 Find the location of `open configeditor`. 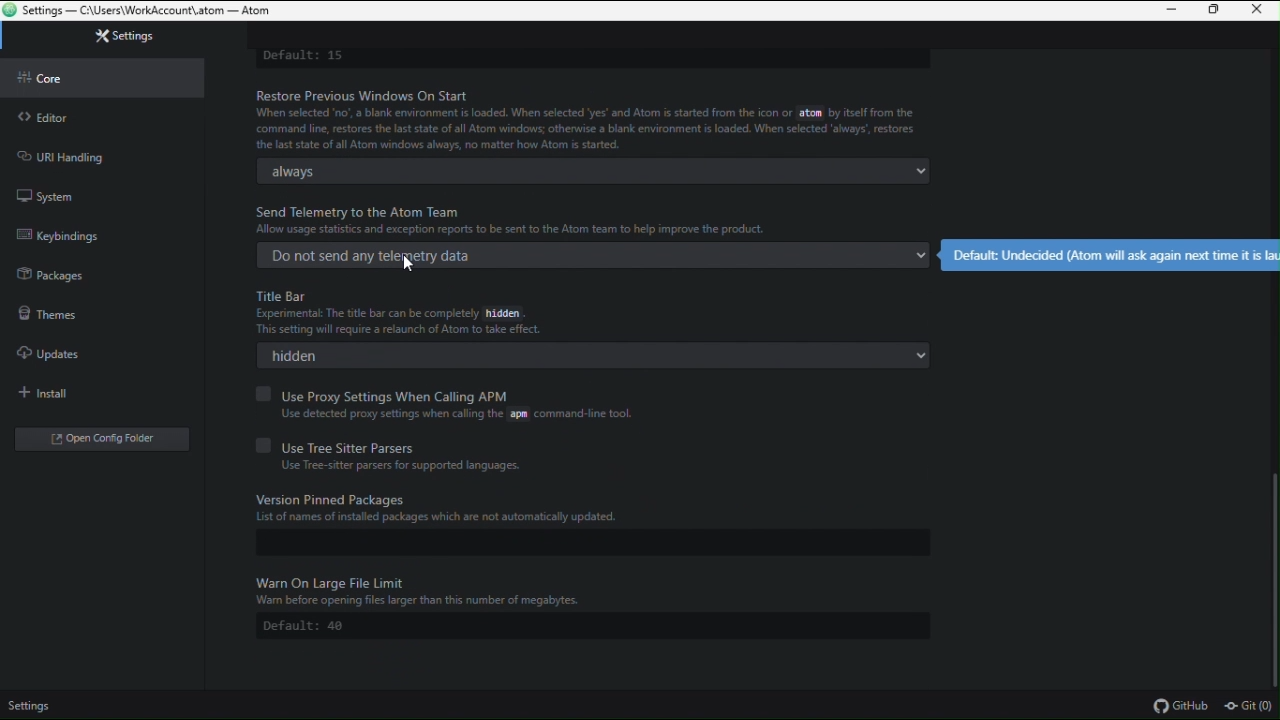

open configeditor is located at coordinates (93, 436).